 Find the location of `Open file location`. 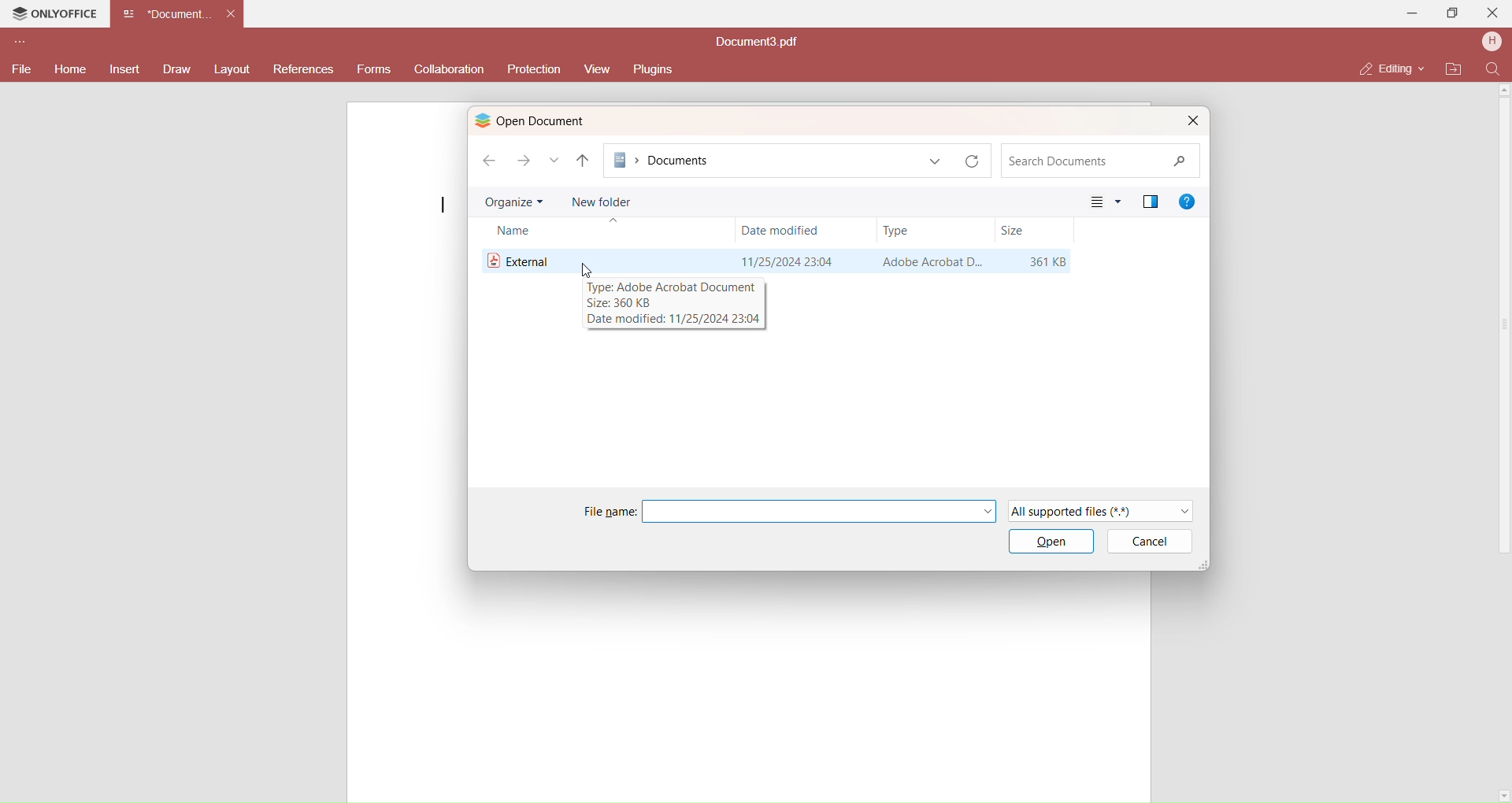

Open file location is located at coordinates (1455, 69).